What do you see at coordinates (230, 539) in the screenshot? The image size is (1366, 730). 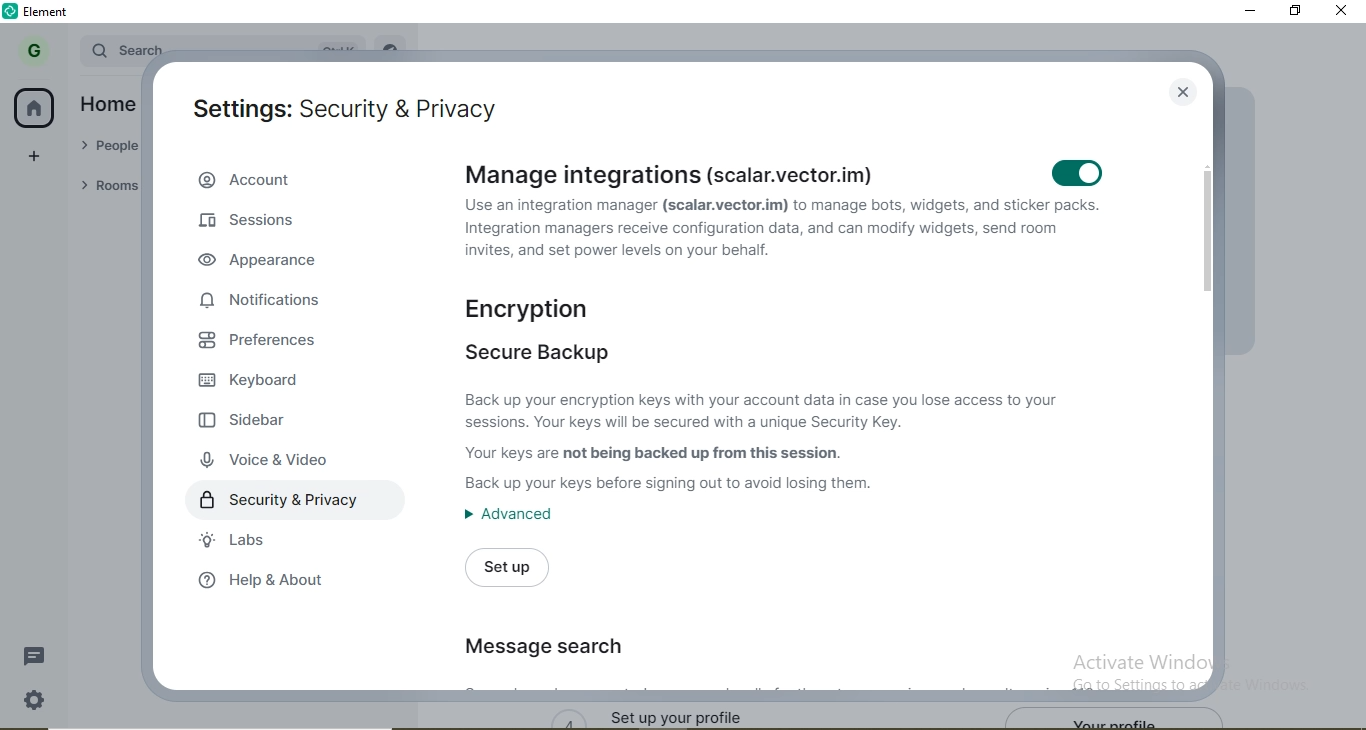 I see `labs` at bounding box center [230, 539].